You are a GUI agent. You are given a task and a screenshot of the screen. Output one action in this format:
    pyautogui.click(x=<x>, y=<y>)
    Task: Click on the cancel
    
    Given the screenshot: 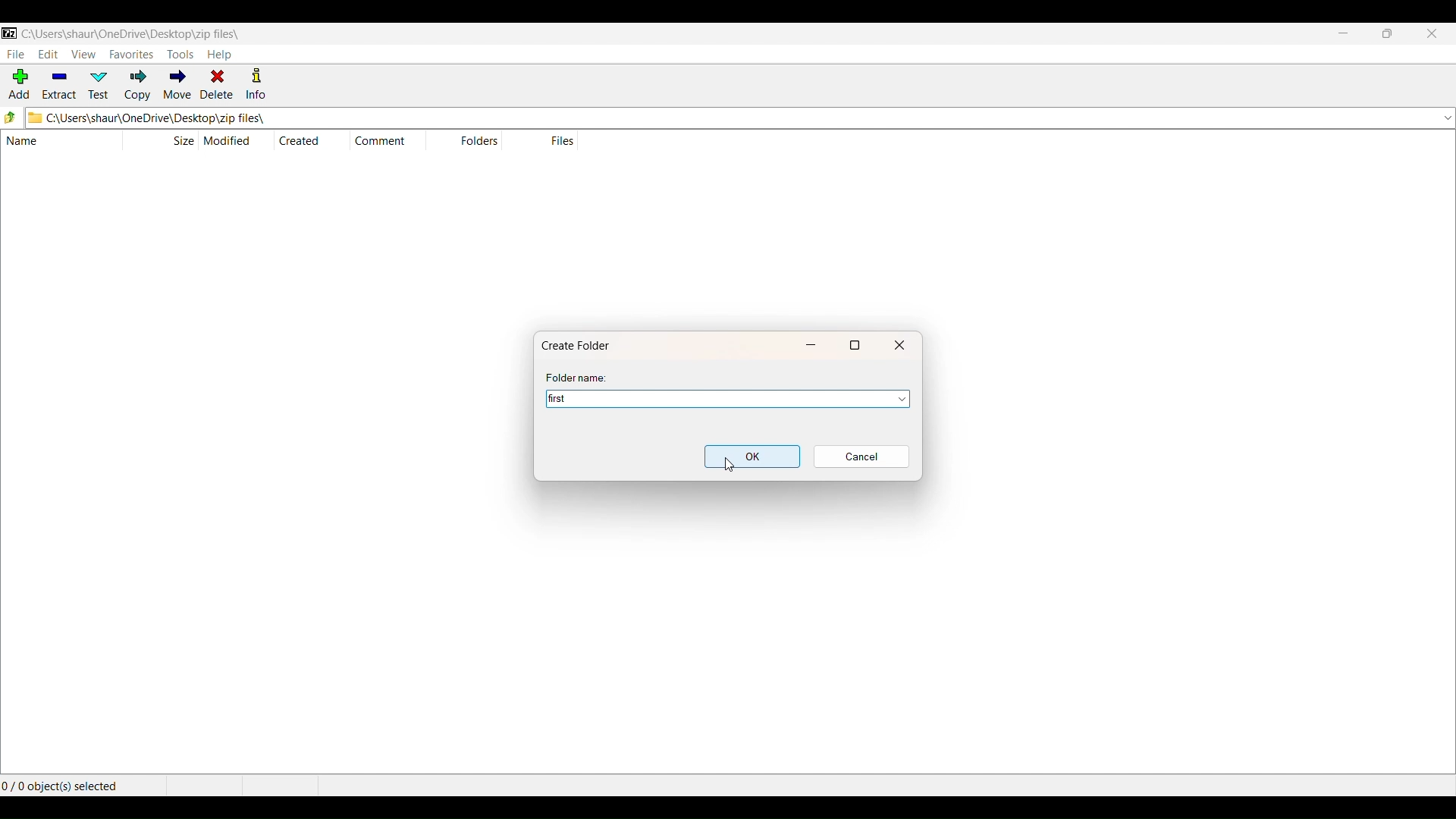 What is the action you would take?
    pyautogui.click(x=861, y=457)
    